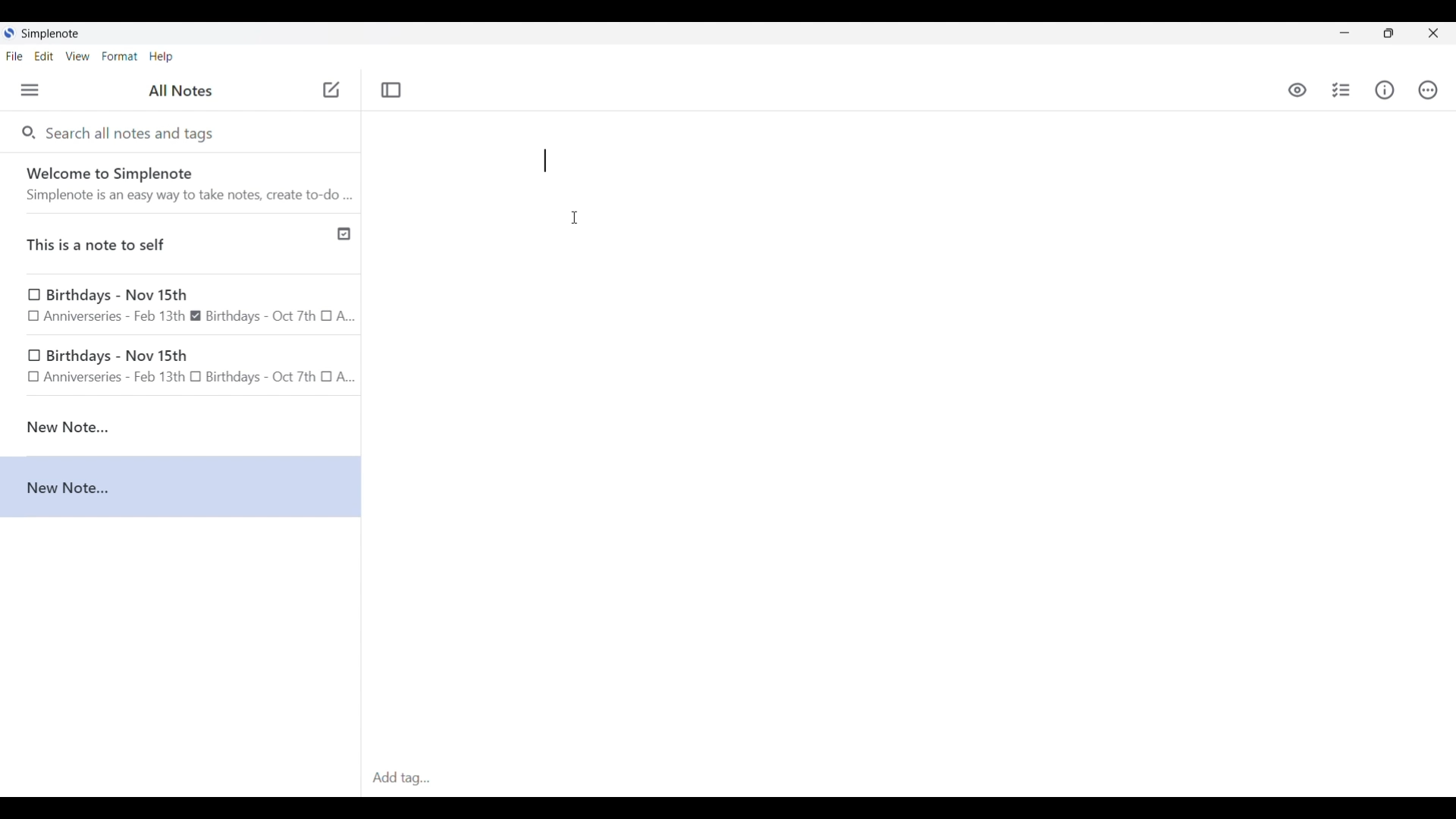 This screenshot has height=819, width=1456. Describe the element at coordinates (1433, 33) in the screenshot. I see `Close interface` at that location.